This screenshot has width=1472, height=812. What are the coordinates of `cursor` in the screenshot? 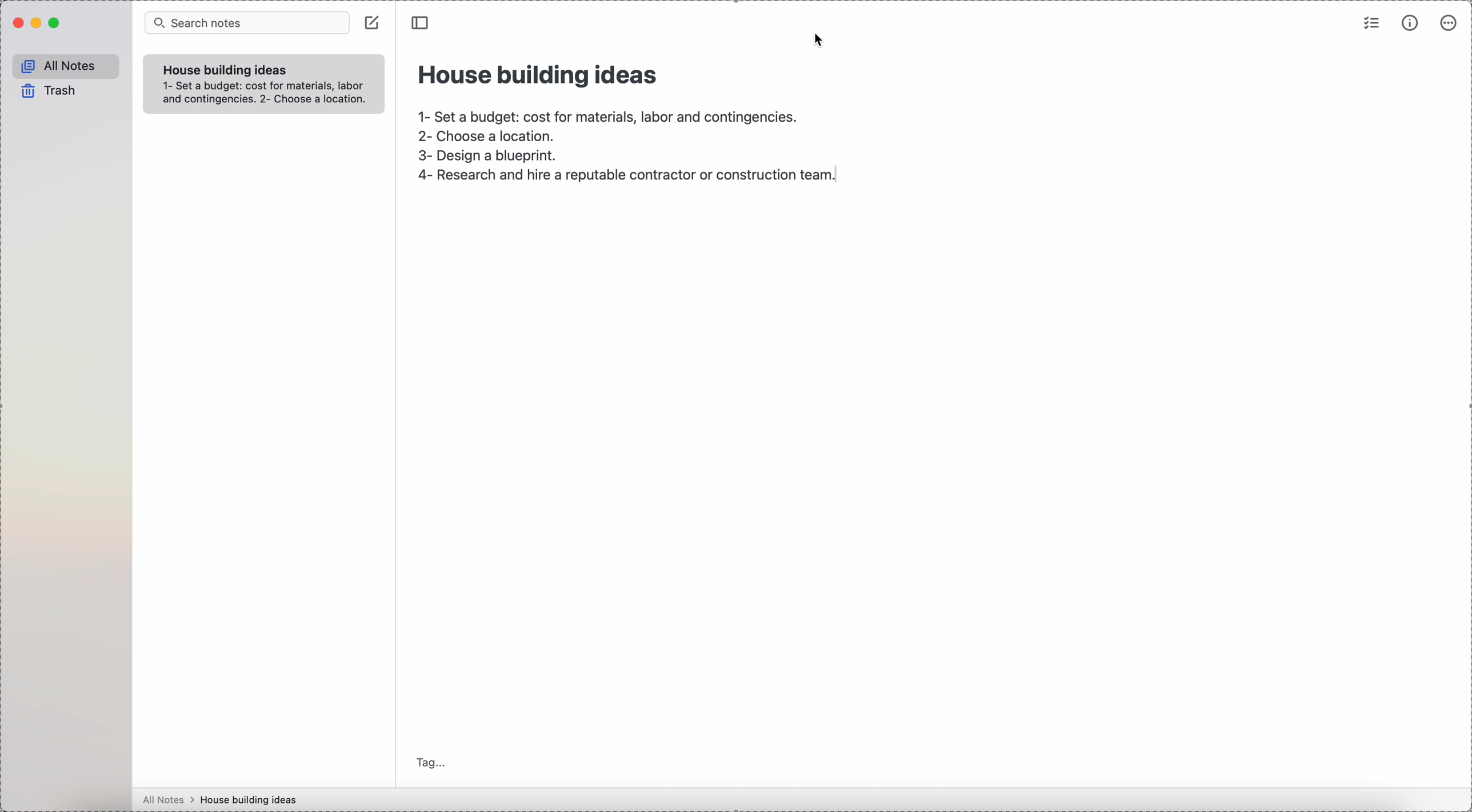 It's located at (821, 40).